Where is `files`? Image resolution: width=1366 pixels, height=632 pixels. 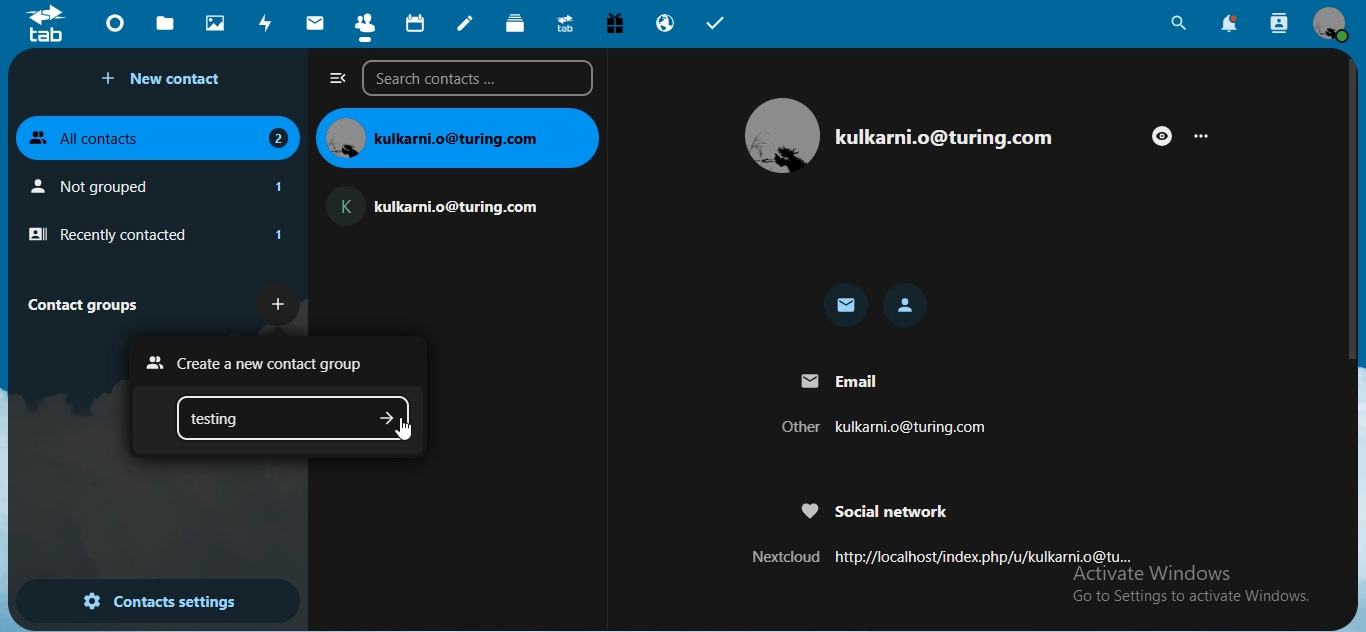
files is located at coordinates (165, 22).